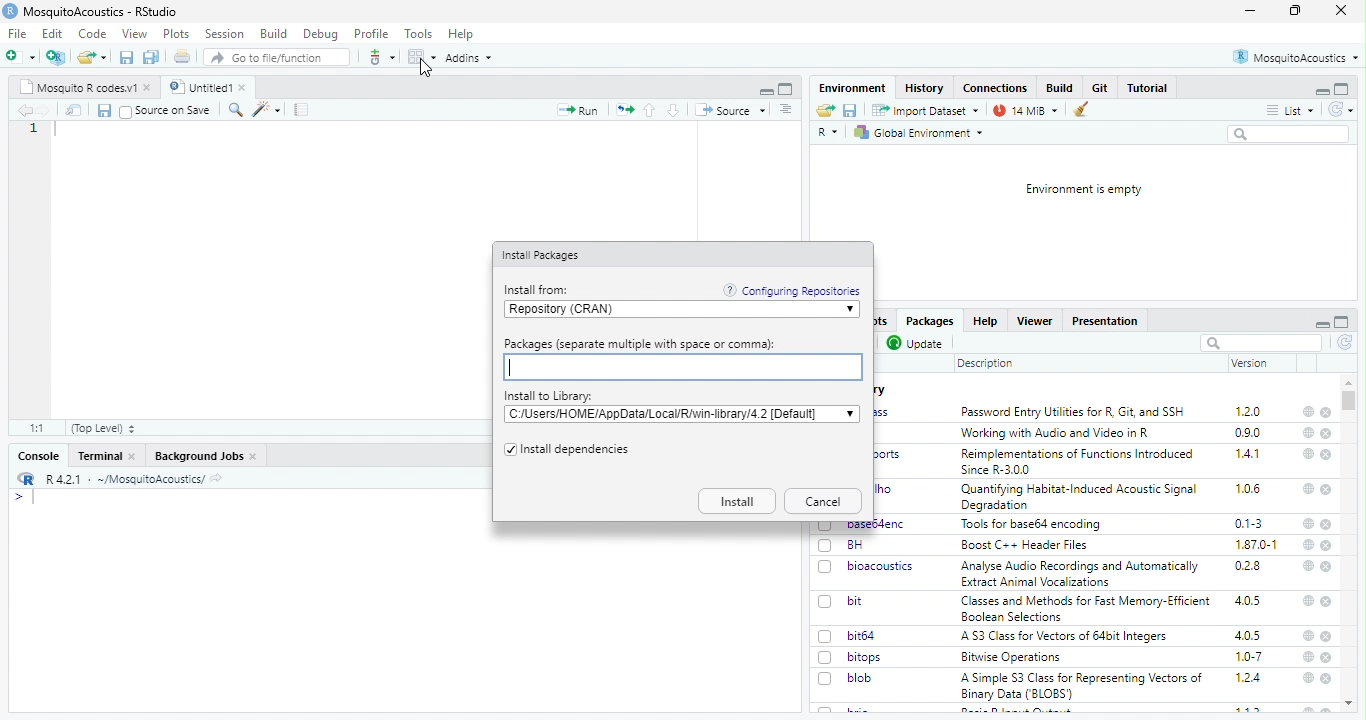 The height and width of the screenshot is (720, 1366). What do you see at coordinates (123, 479) in the screenshot?
I see `R42.1 - ~/MosquitoAcoustics/` at bounding box center [123, 479].